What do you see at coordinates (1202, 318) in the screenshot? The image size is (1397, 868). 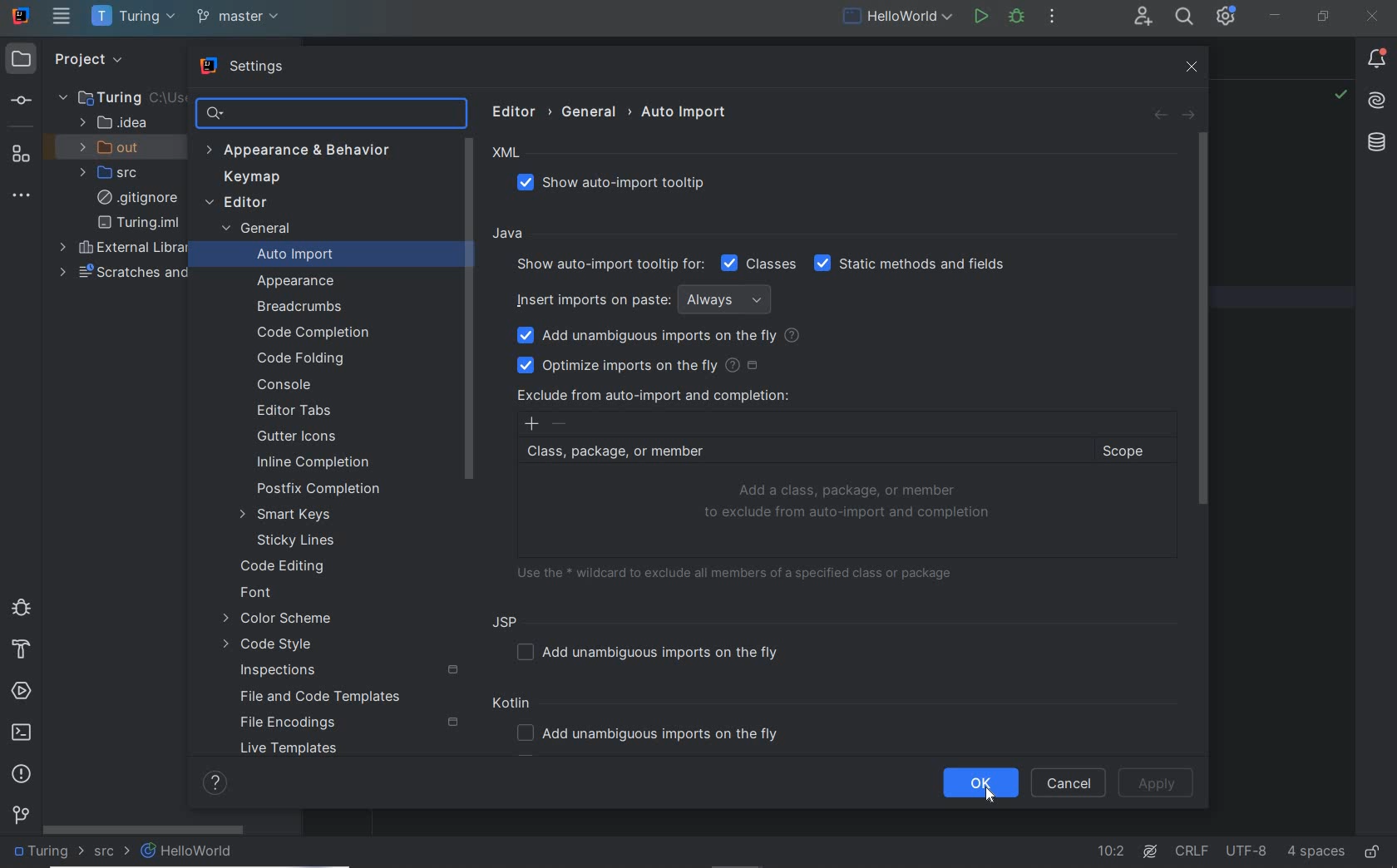 I see `SCROLLBAR` at bounding box center [1202, 318].